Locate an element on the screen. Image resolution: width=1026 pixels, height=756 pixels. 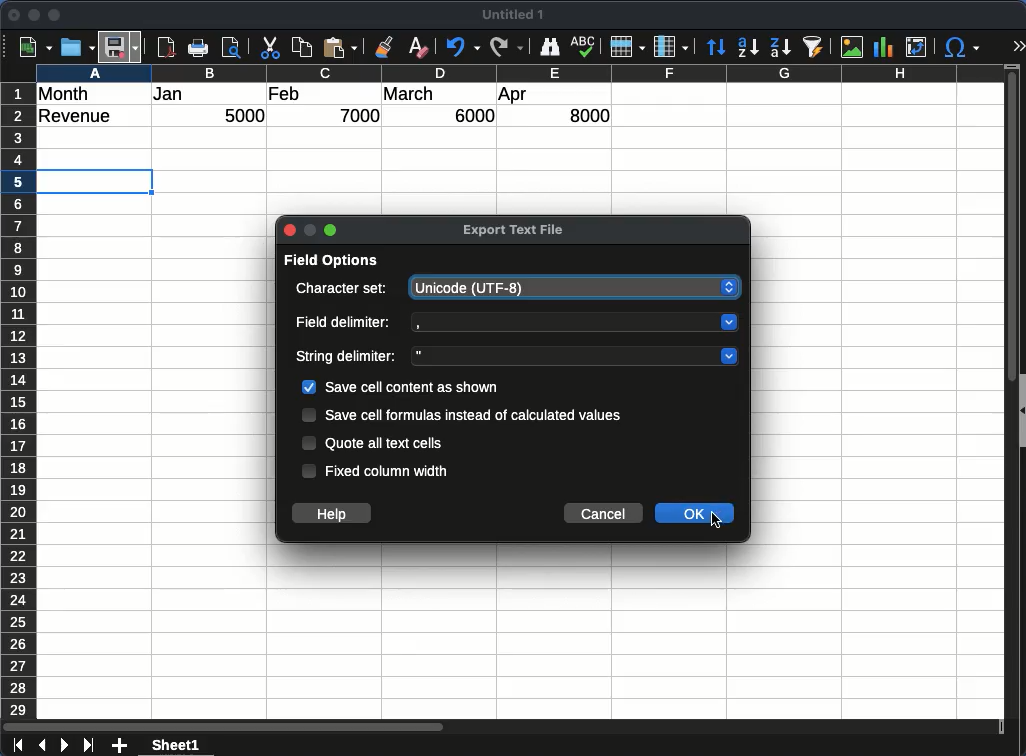
autofilter is located at coordinates (813, 47).